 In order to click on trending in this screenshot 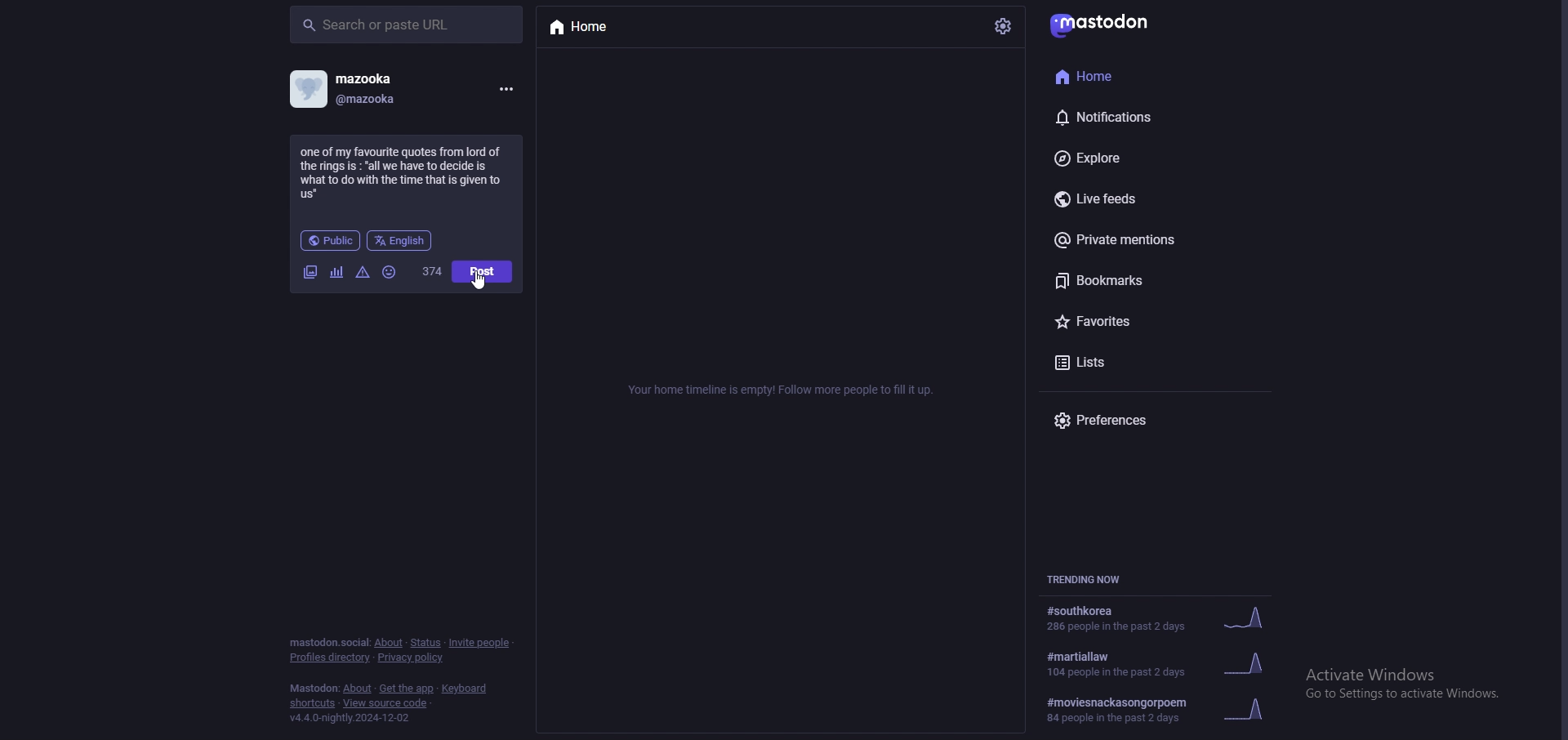, I will do `click(1157, 617)`.